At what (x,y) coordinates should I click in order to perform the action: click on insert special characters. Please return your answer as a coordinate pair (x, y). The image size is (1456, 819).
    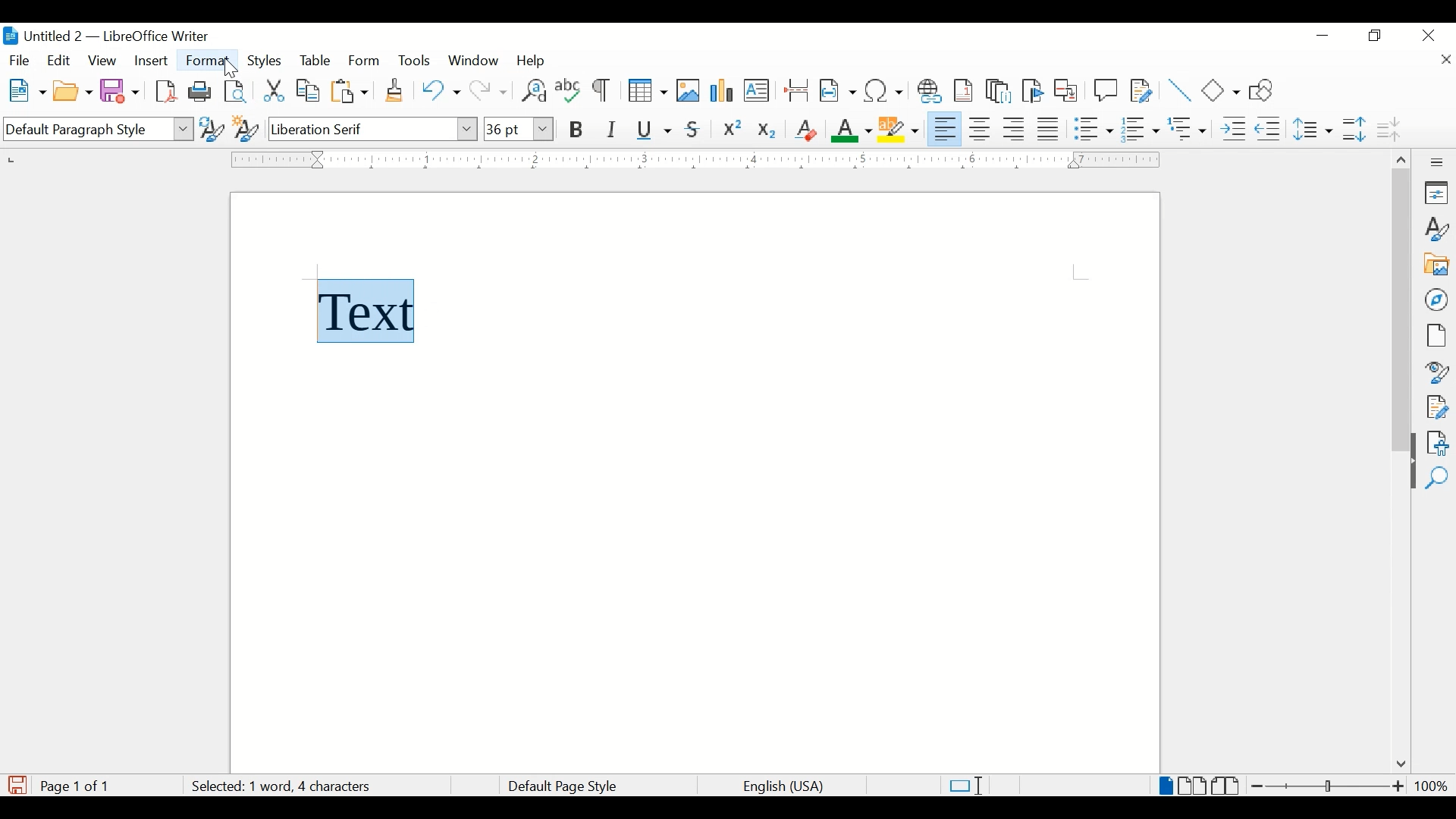
    Looking at the image, I should click on (884, 89).